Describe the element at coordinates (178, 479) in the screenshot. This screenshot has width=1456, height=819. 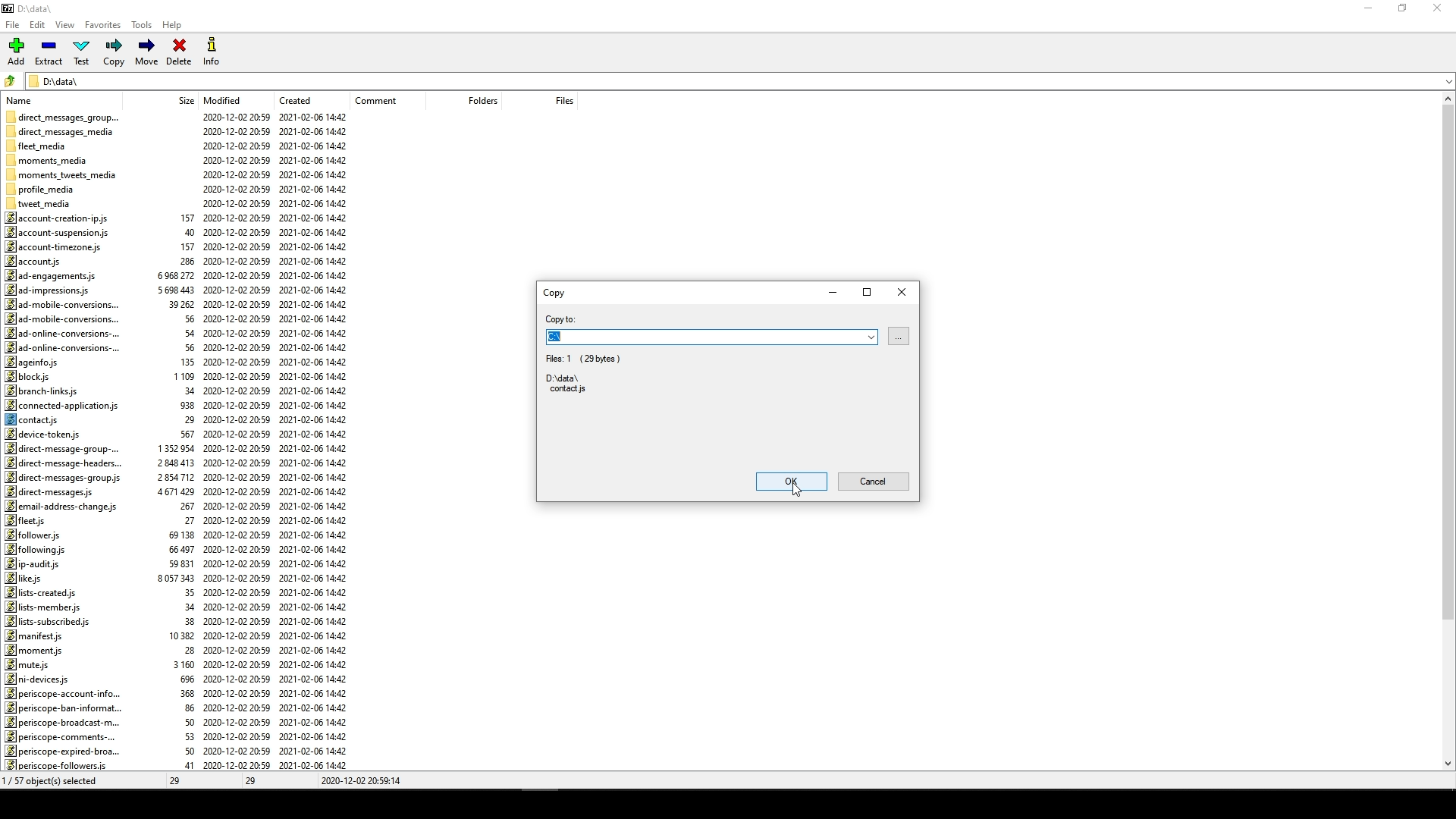
I see `size` at that location.